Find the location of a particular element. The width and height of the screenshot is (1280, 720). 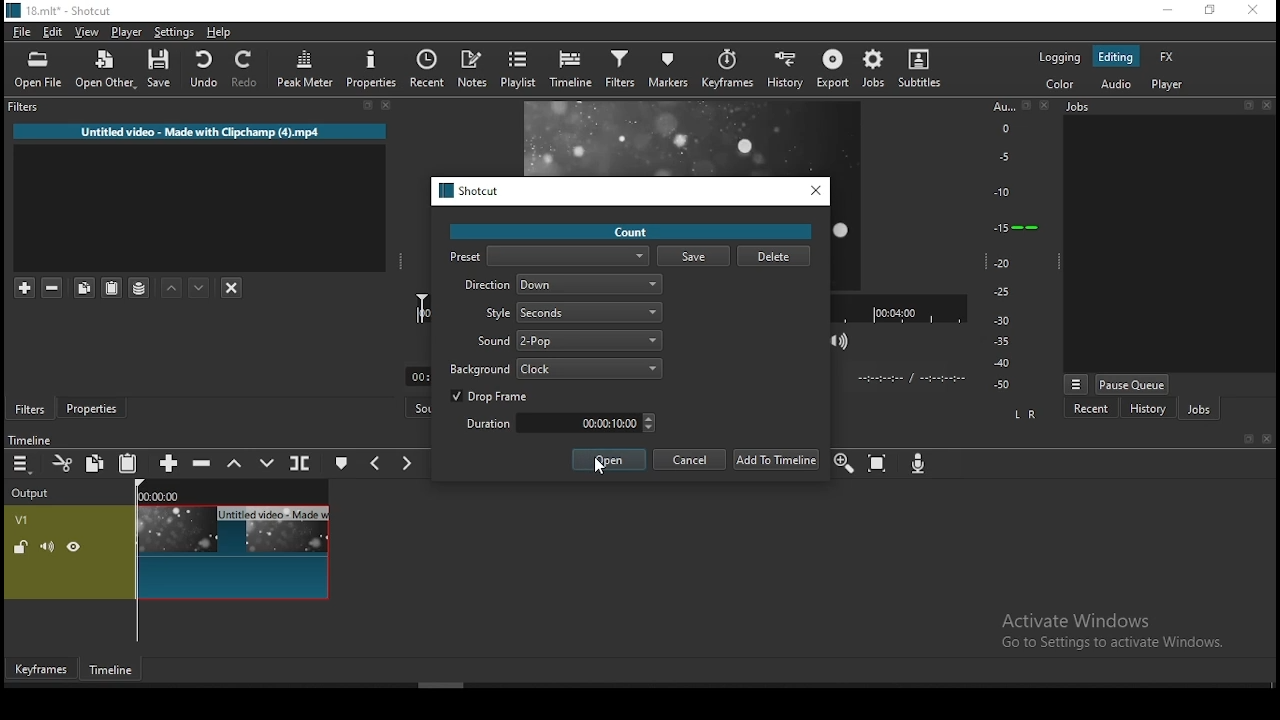

duration is located at coordinates (558, 422).